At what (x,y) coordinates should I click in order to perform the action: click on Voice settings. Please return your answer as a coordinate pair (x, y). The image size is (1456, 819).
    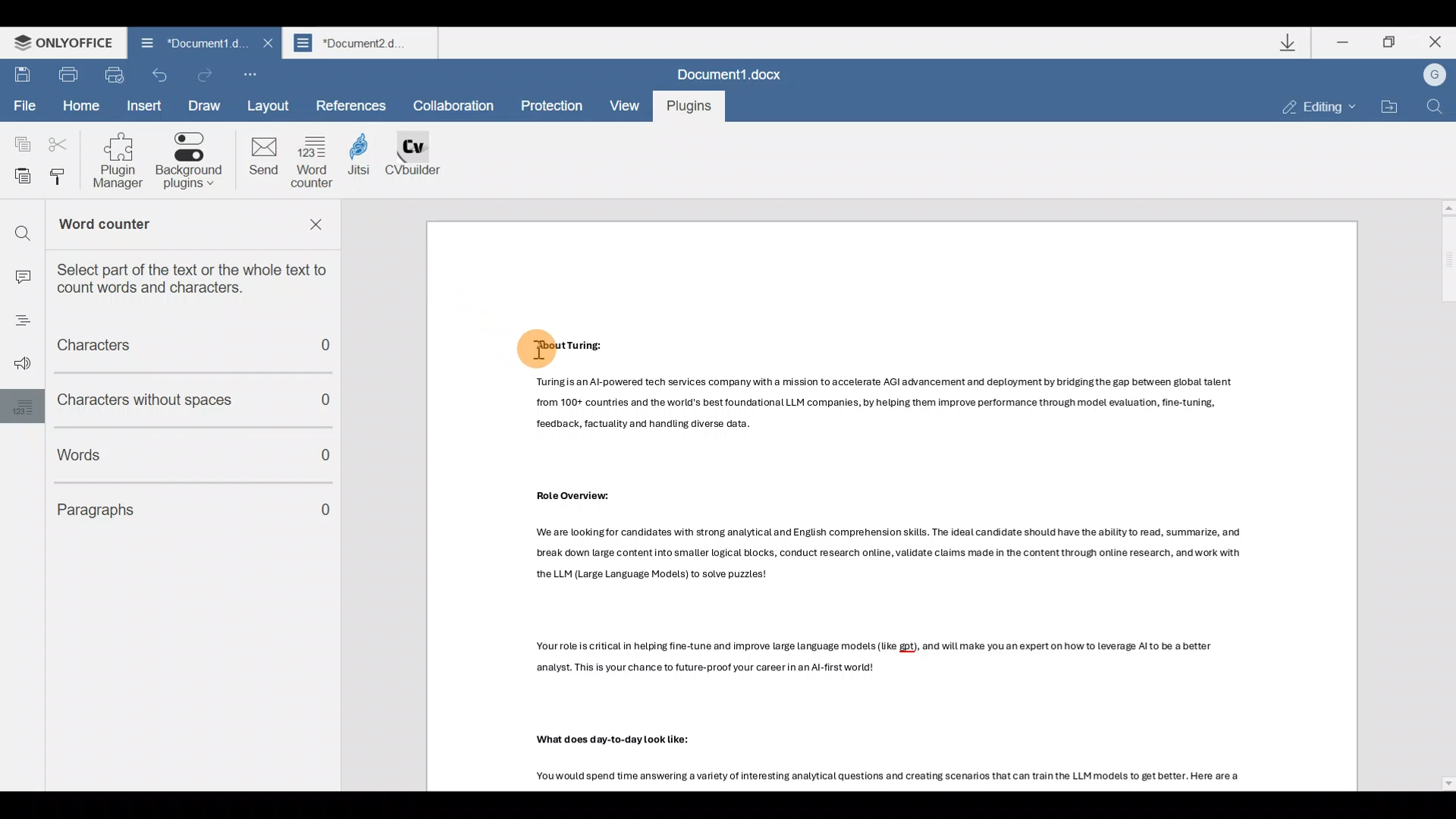
    Looking at the image, I should click on (18, 365).